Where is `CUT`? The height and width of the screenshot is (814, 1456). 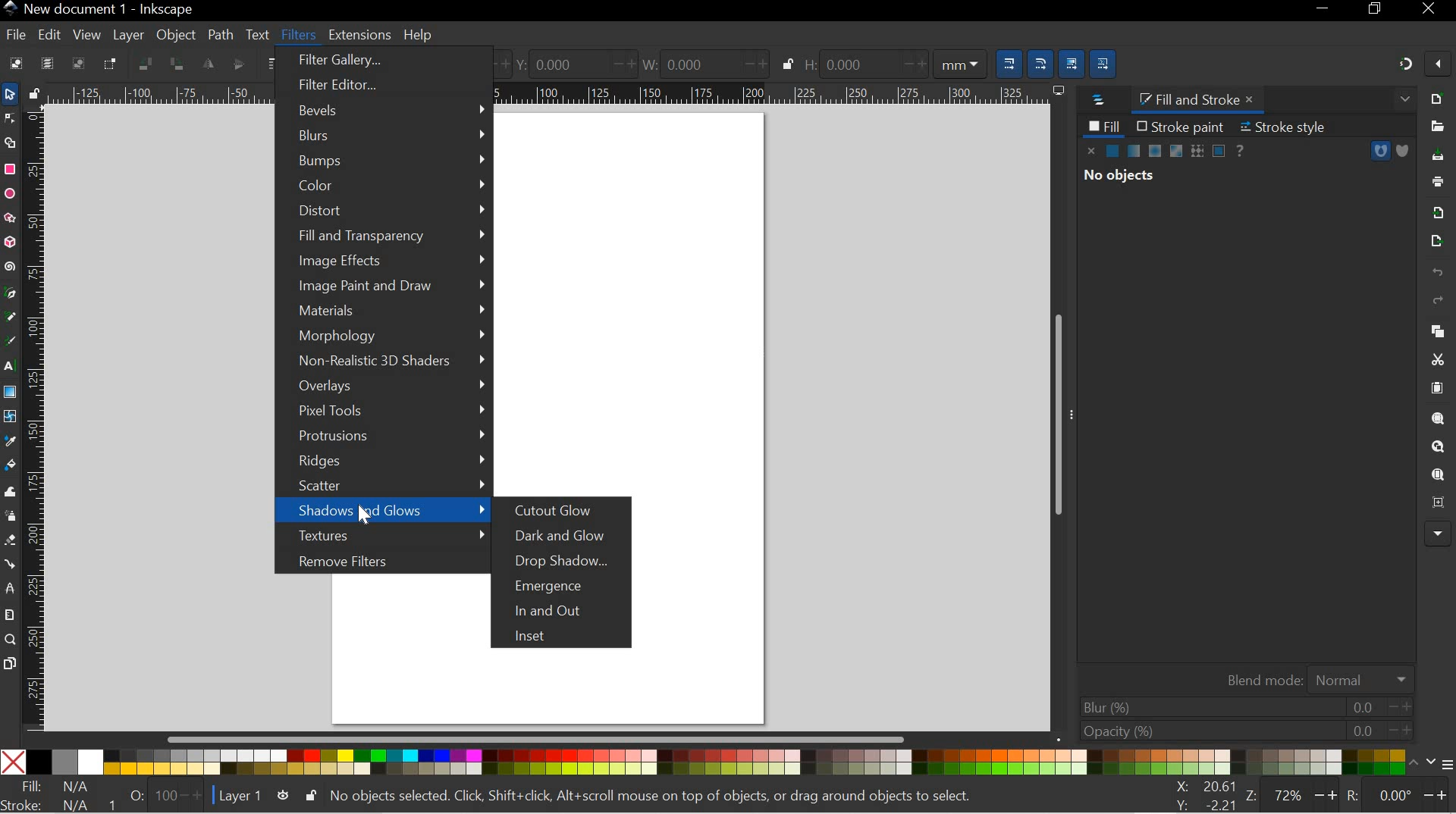
CUT is located at coordinates (1437, 359).